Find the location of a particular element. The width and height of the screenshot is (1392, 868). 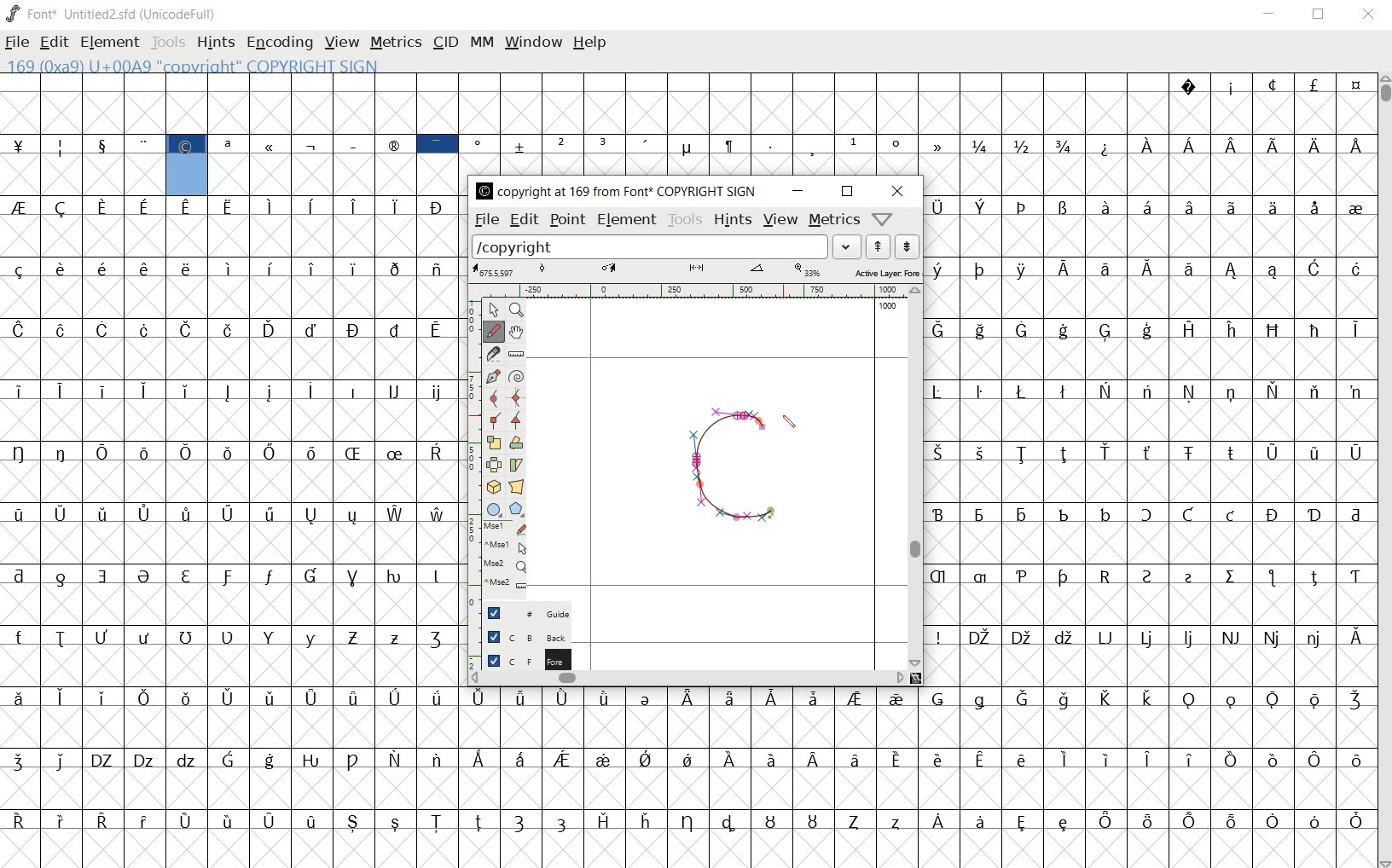

Font* Untitled2.sfd (UnicodeFull) is located at coordinates (113, 14).